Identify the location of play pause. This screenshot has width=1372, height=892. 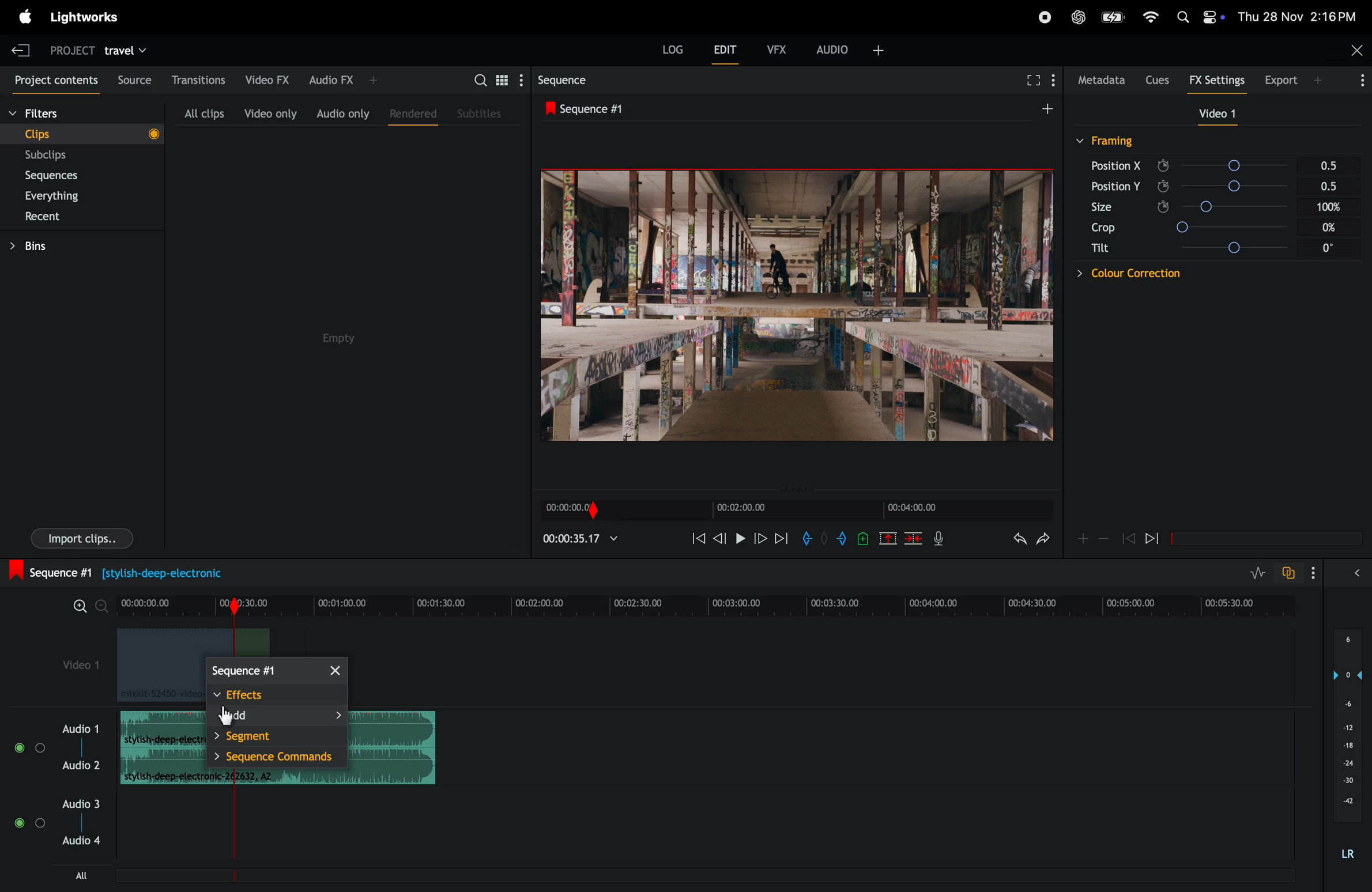
(742, 540).